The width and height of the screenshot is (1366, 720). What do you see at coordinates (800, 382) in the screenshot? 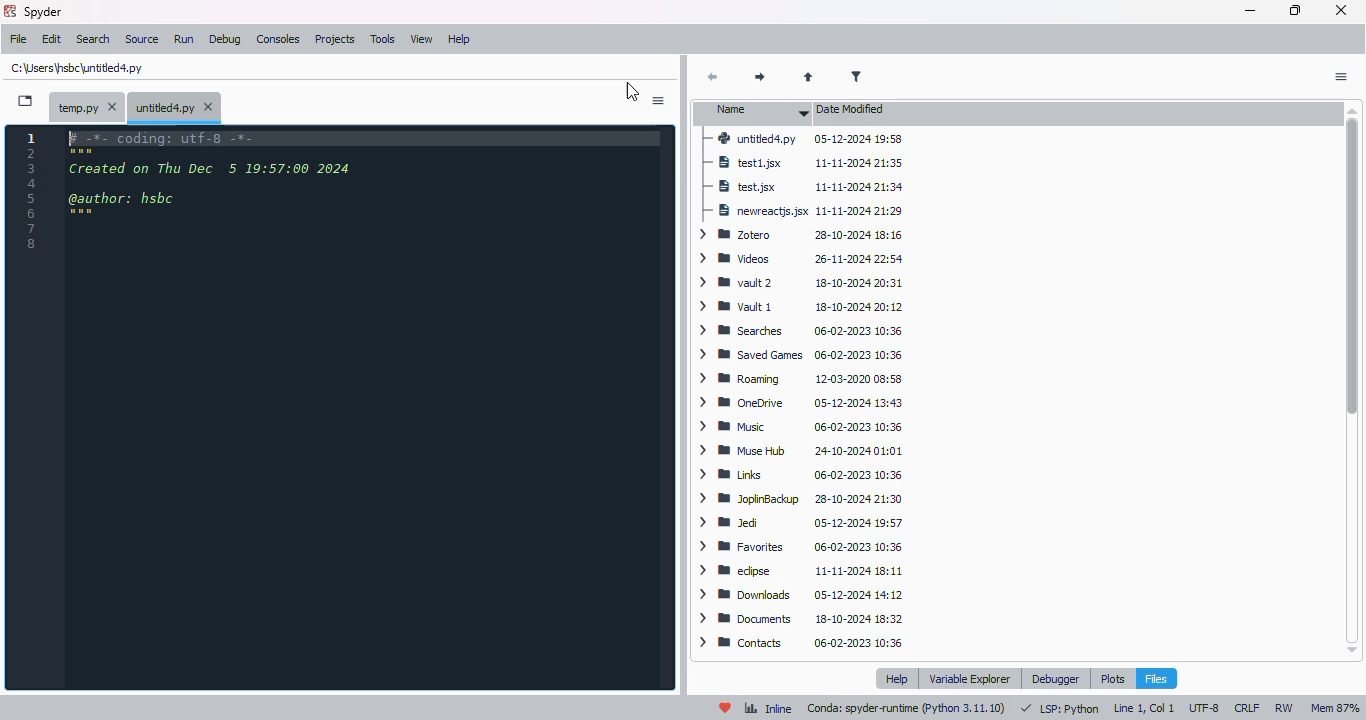
I see `searches` at bounding box center [800, 382].